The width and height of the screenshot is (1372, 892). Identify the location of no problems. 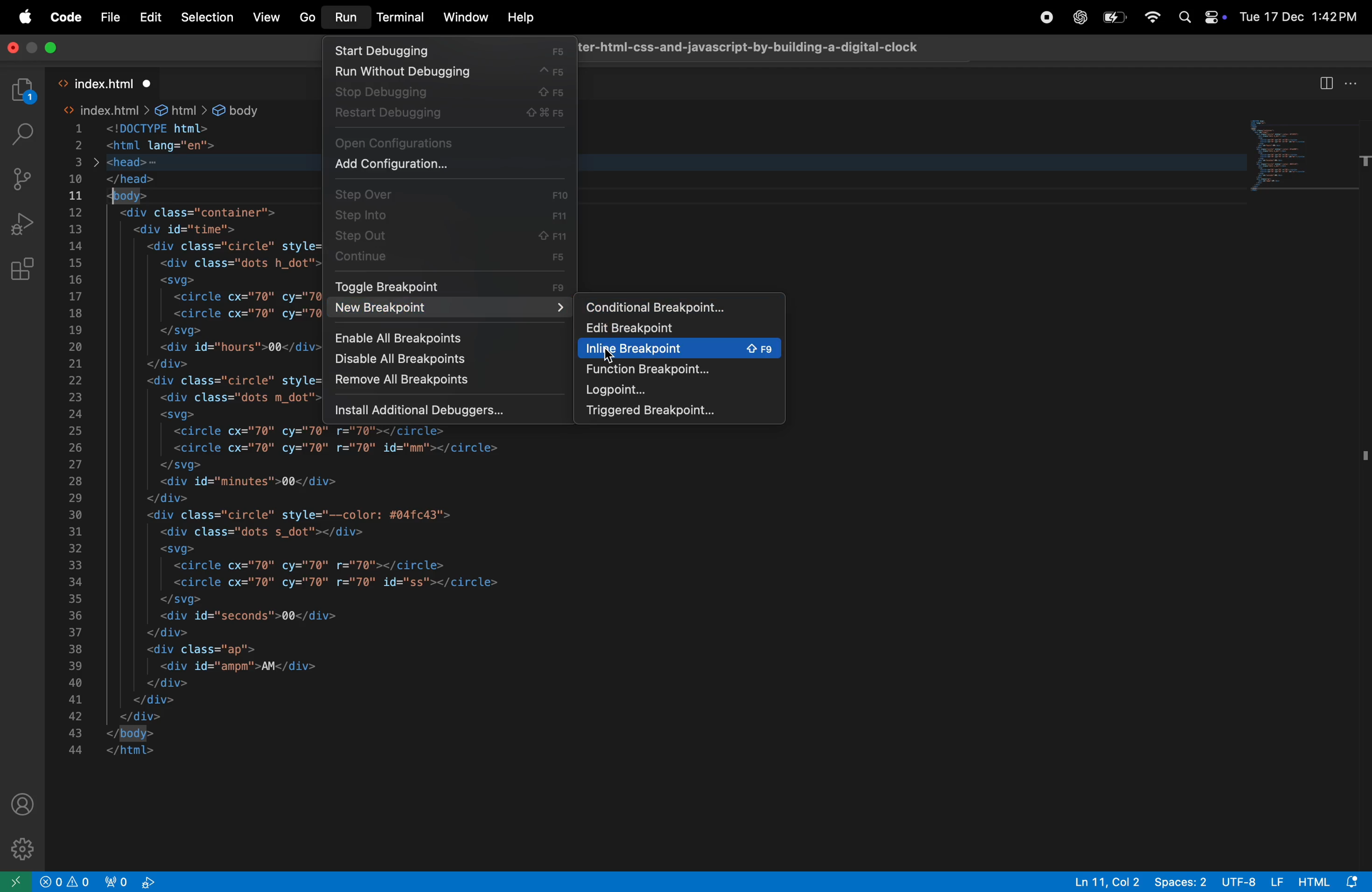
(67, 882).